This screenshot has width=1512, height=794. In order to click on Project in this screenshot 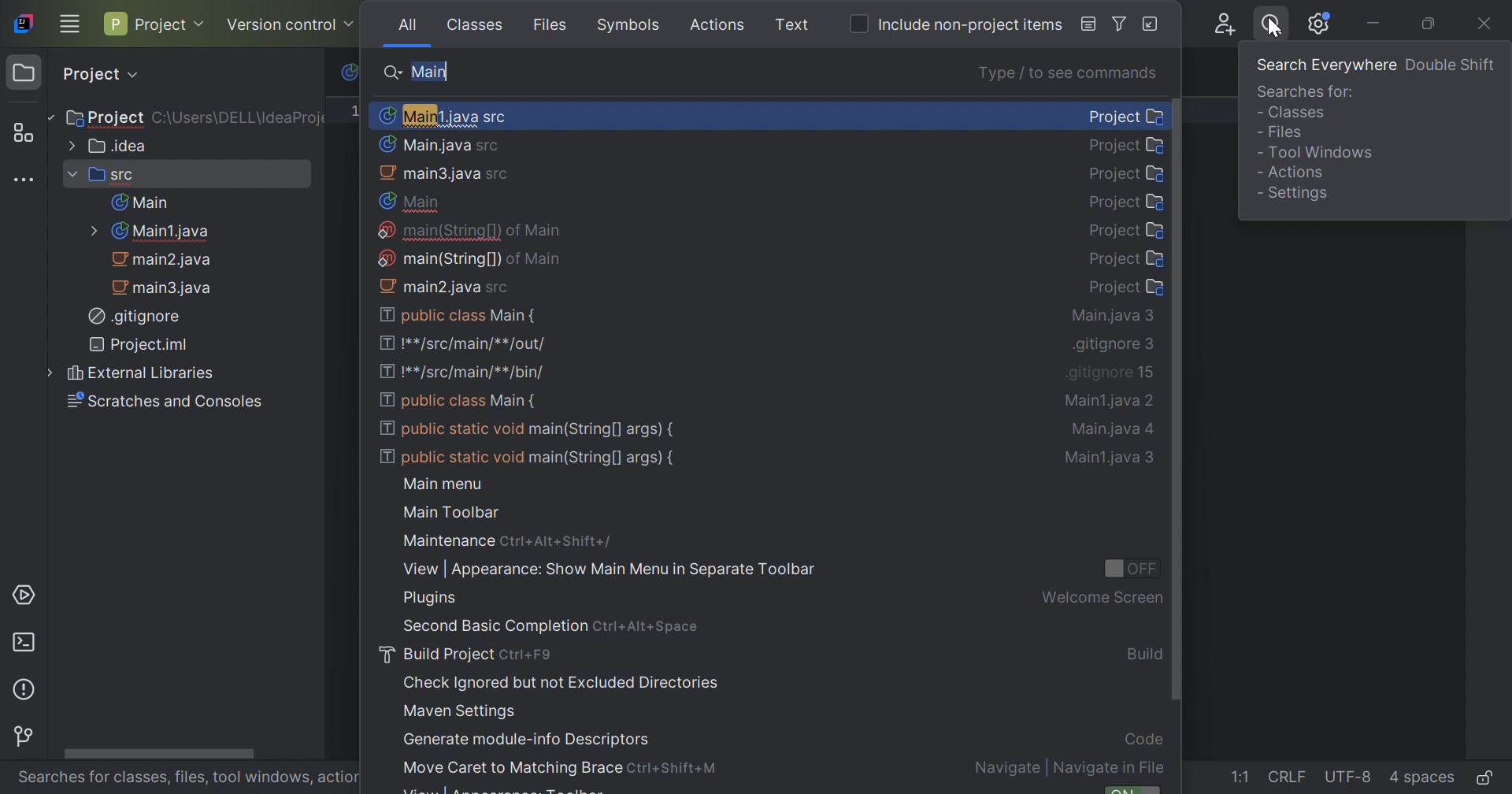, I will do `click(156, 25)`.